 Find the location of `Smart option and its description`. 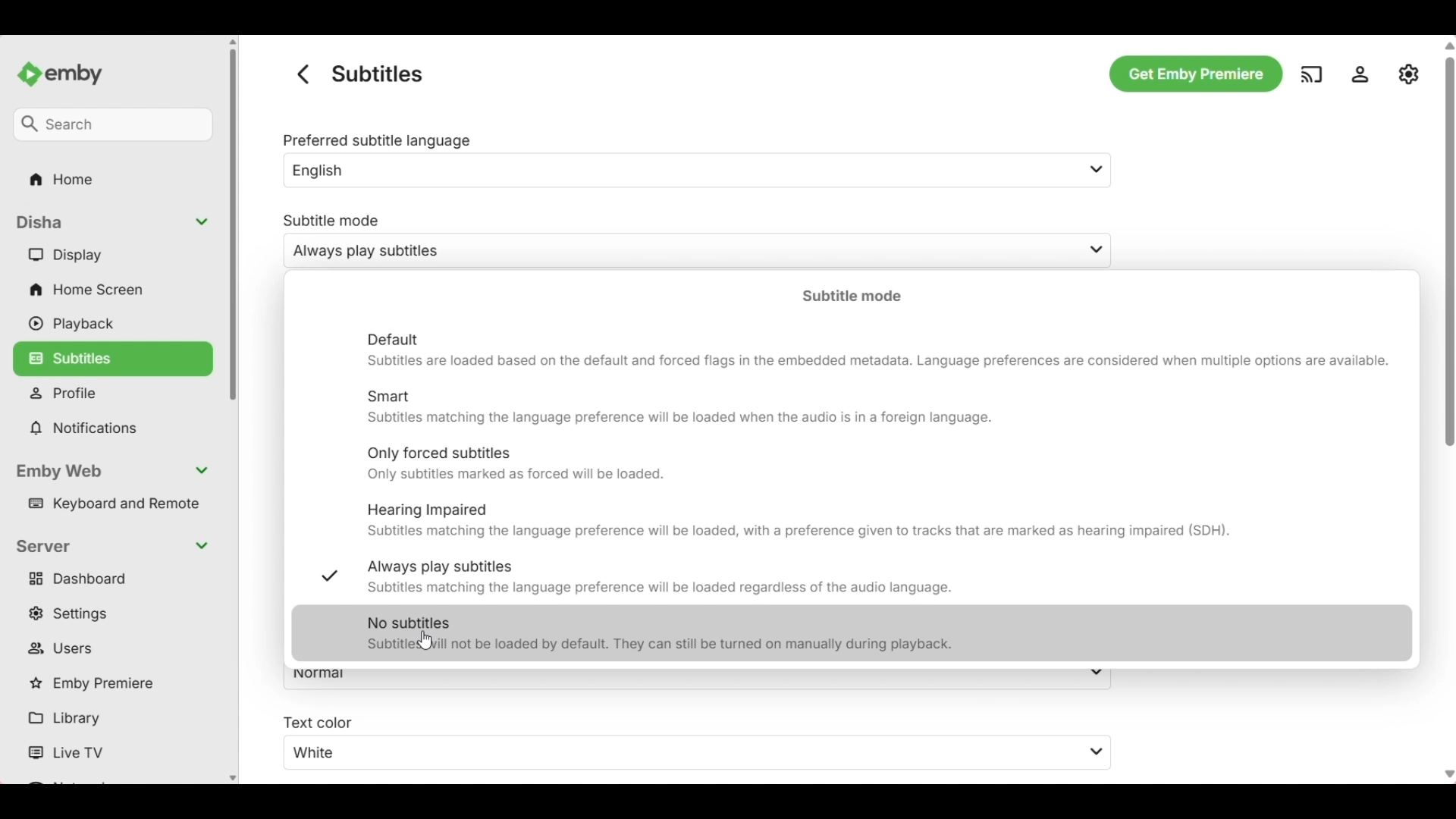

Smart option and its description is located at coordinates (878, 407).